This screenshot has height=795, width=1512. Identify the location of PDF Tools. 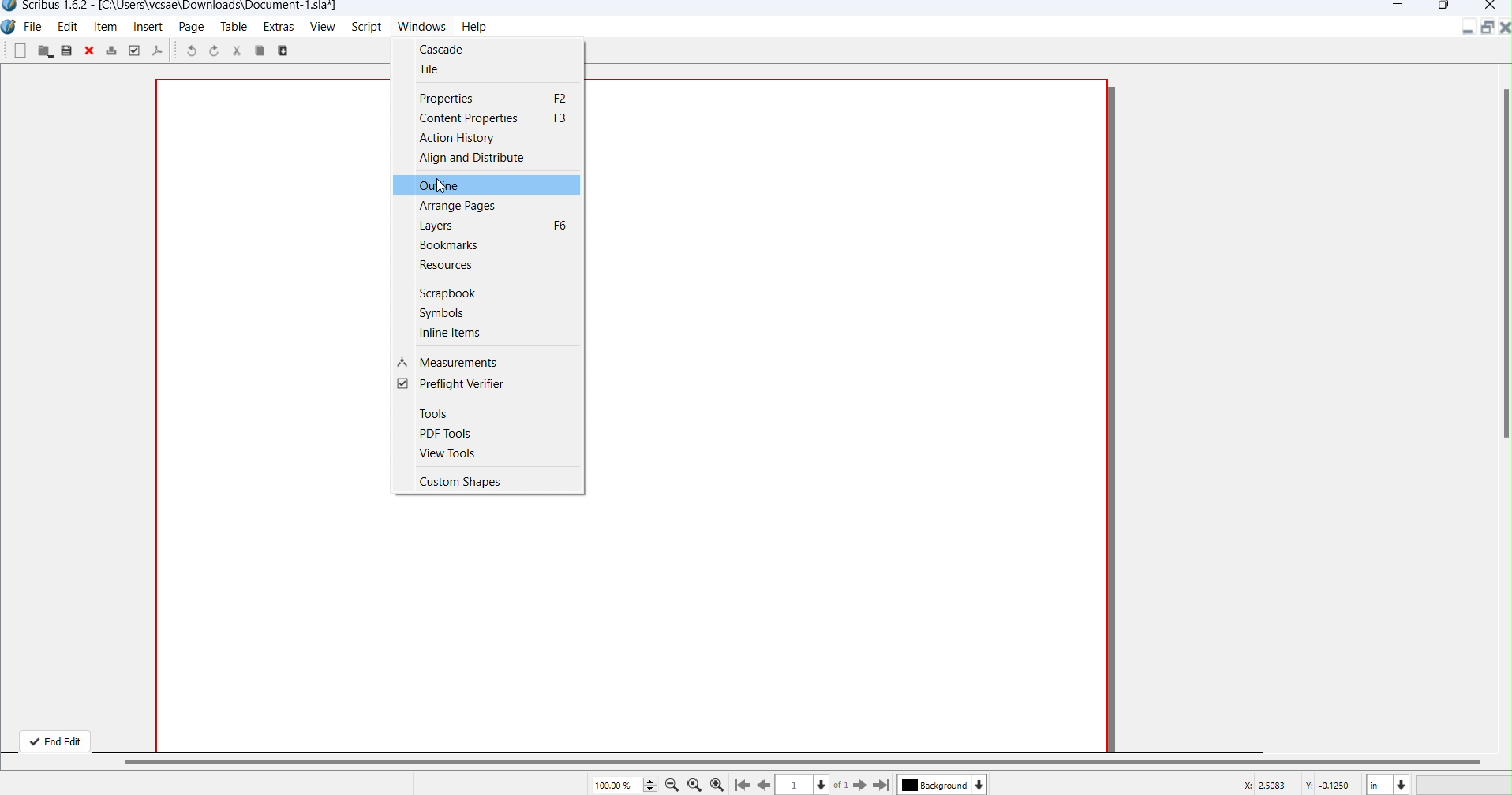
(446, 433).